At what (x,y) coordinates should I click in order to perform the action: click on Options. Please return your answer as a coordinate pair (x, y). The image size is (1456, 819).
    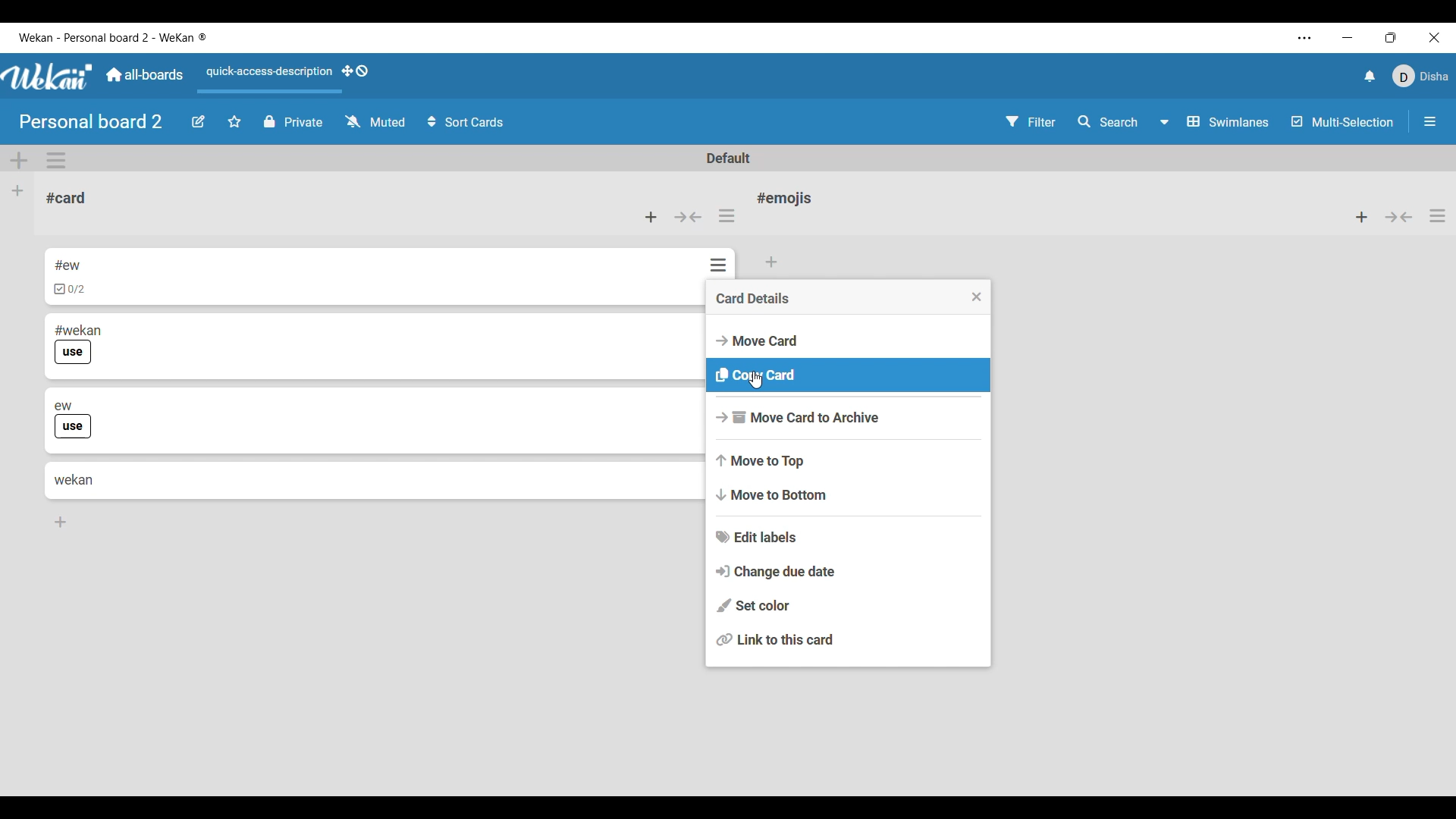
    Looking at the image, I should click on (722, 262).